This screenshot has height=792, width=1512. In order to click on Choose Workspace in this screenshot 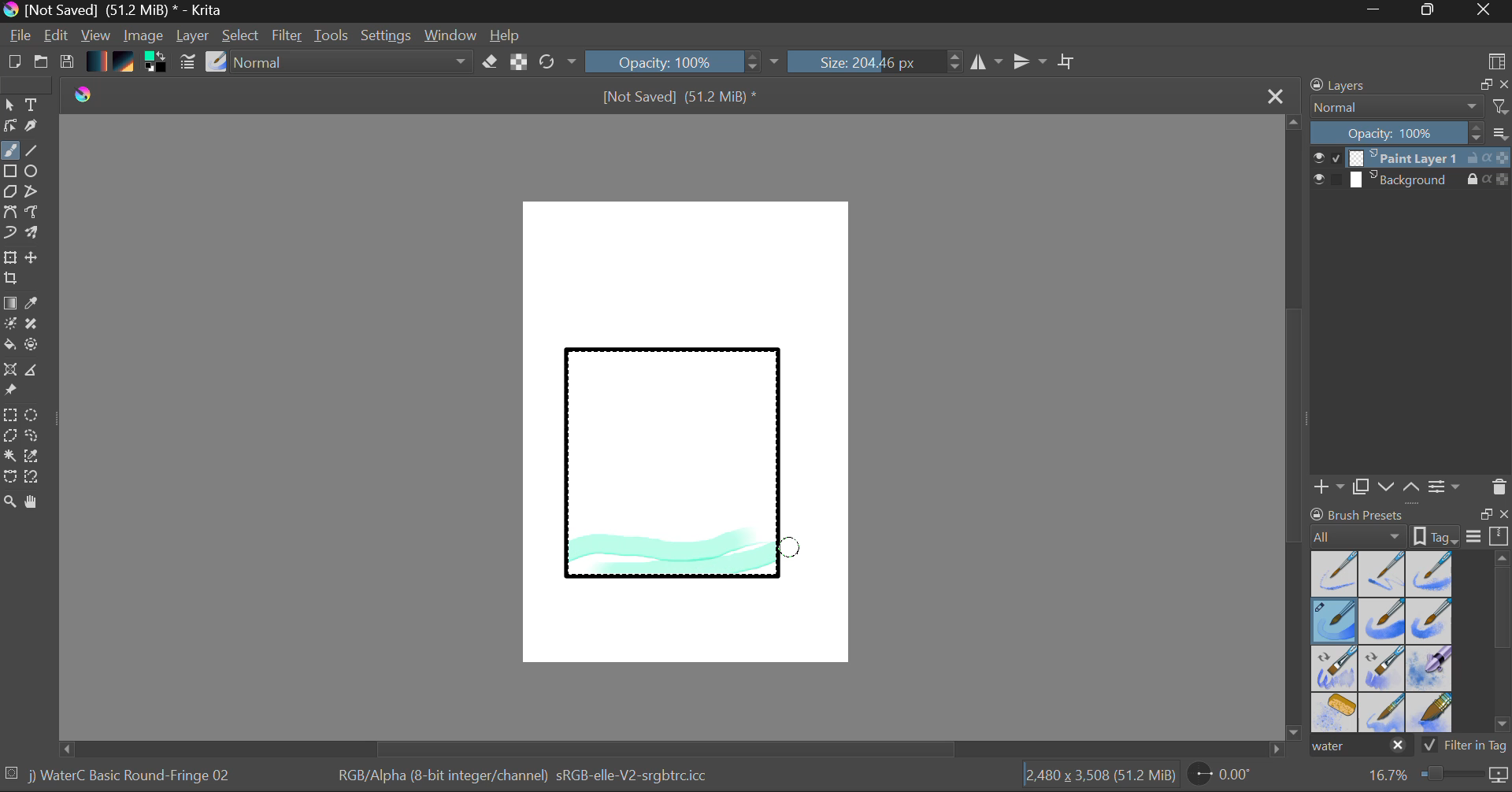, I will do `click(1496, 60)`.